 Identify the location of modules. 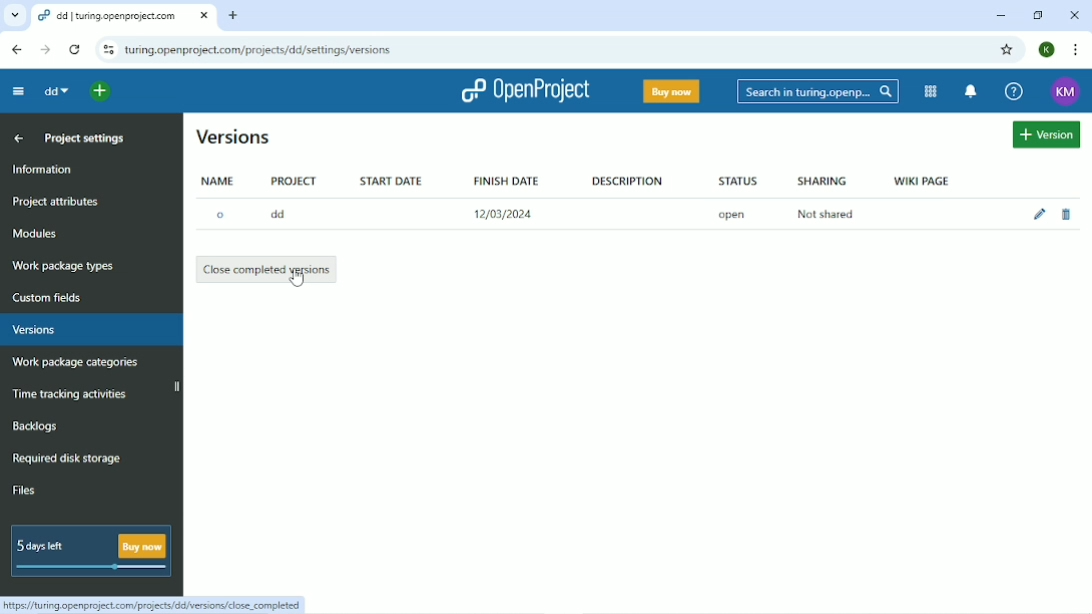
(929, 91).